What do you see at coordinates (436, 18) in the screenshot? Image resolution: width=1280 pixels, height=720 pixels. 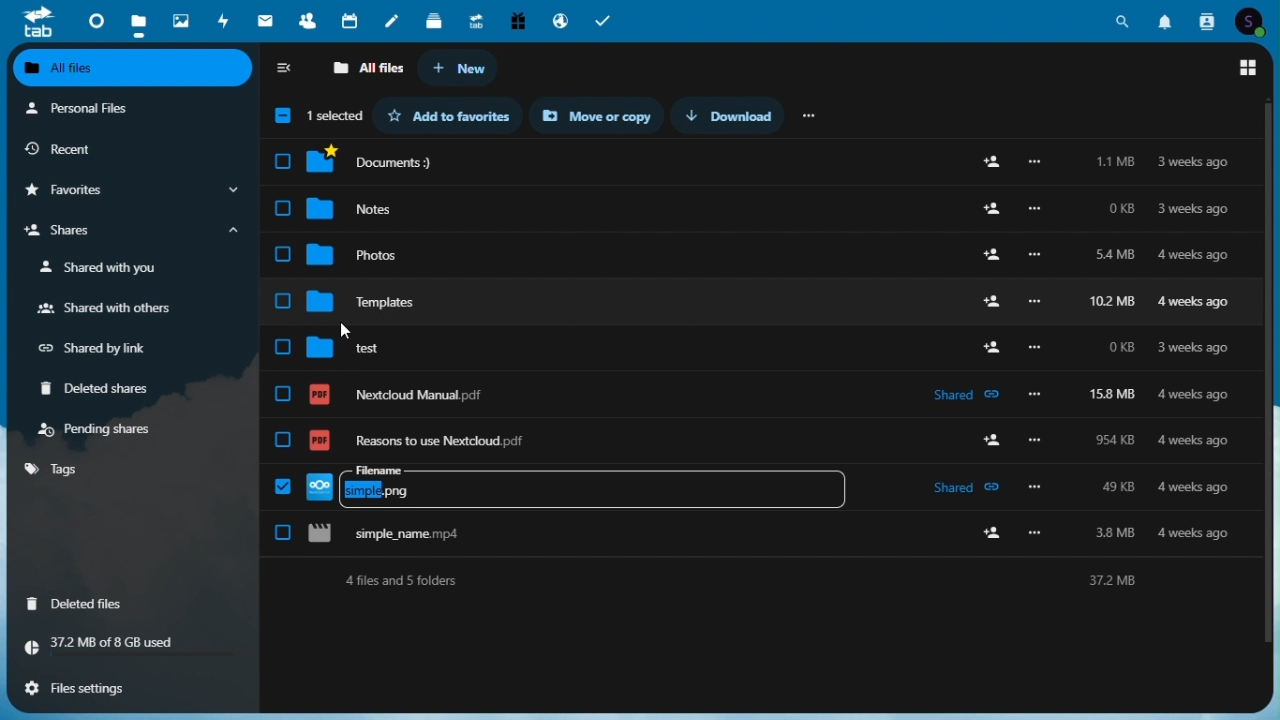 I see `deck` at bounding box center [436, 18].